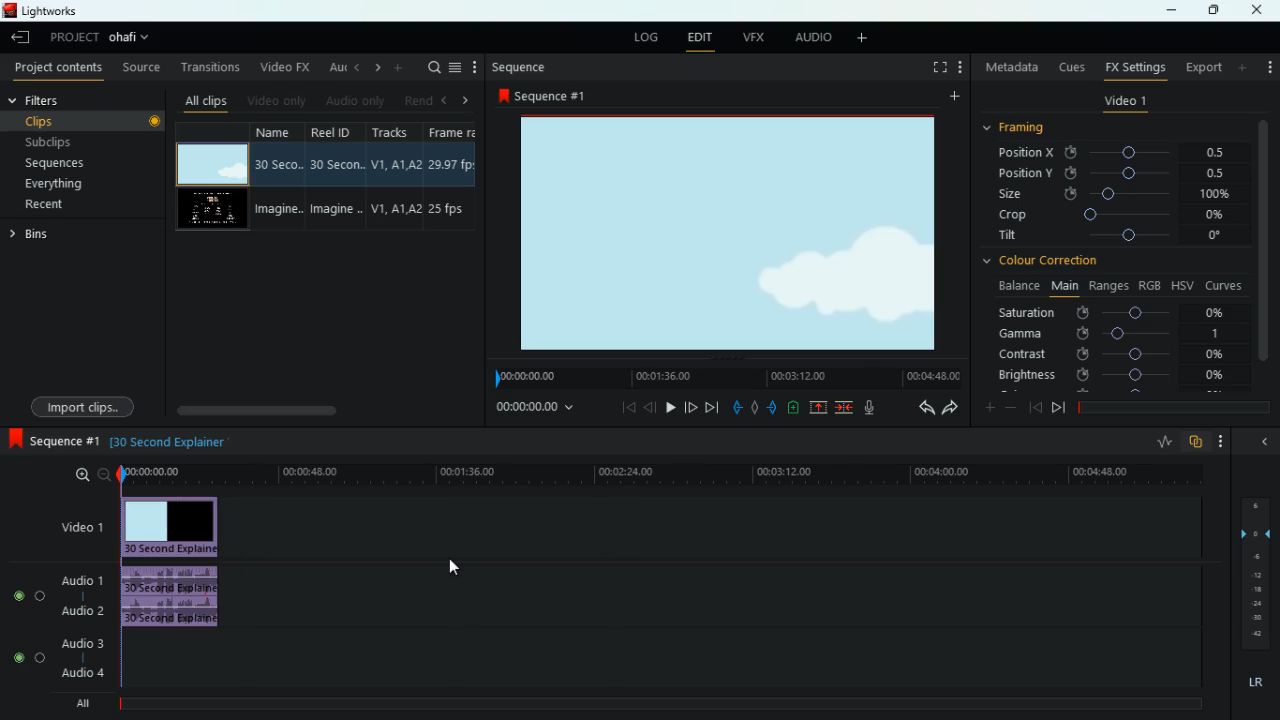 This screenshot has width=1280, height=720. I want to click on scroll, so click(319, 409).